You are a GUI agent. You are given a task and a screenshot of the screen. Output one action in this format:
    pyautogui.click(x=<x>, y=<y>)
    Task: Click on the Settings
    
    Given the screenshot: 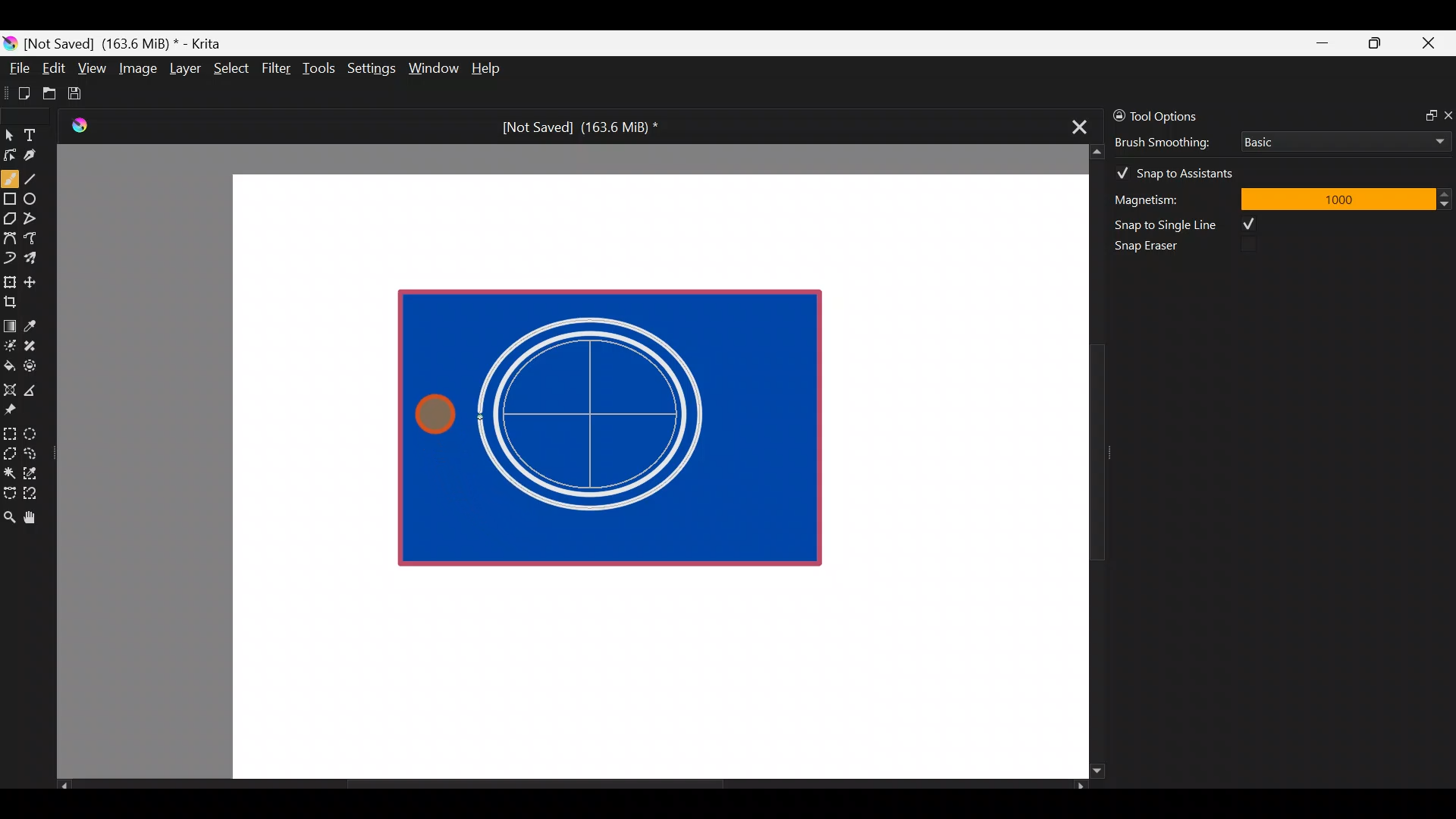 What is the action you would take?
    pyautogui.click(x=373, y=71)
    